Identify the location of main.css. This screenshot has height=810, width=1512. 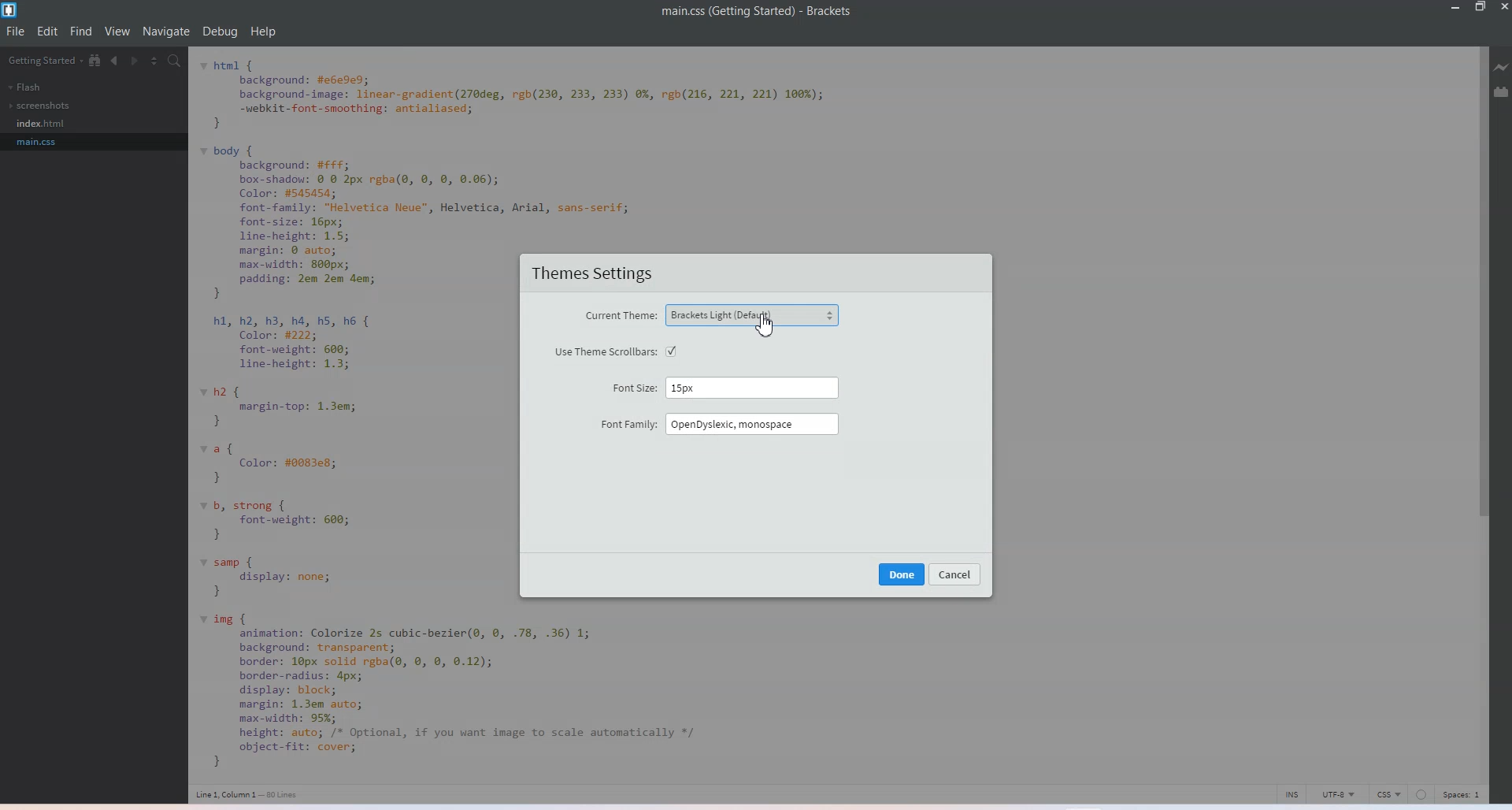
(43, 141).